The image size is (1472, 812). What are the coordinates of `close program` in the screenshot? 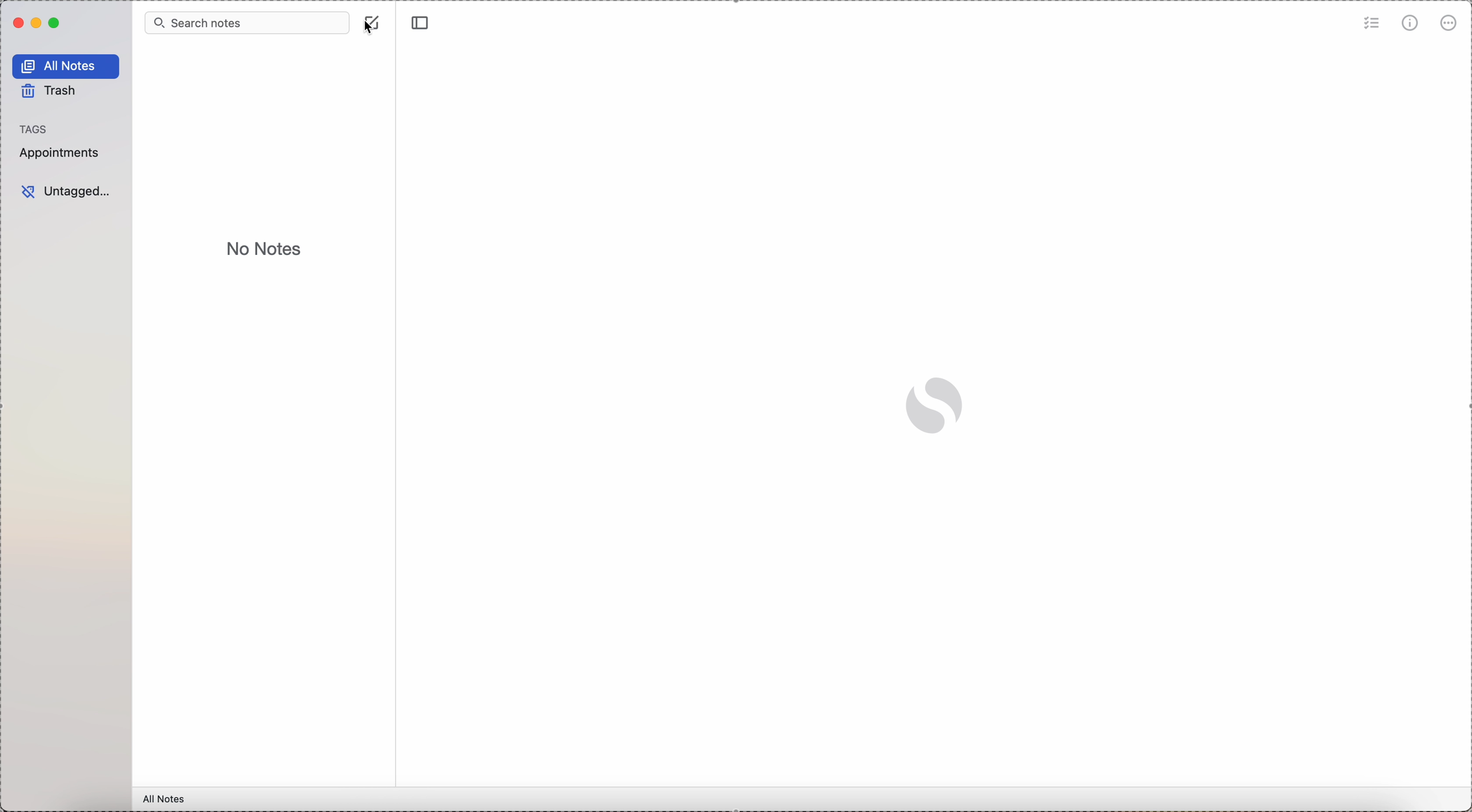 It's located at (17, 23).